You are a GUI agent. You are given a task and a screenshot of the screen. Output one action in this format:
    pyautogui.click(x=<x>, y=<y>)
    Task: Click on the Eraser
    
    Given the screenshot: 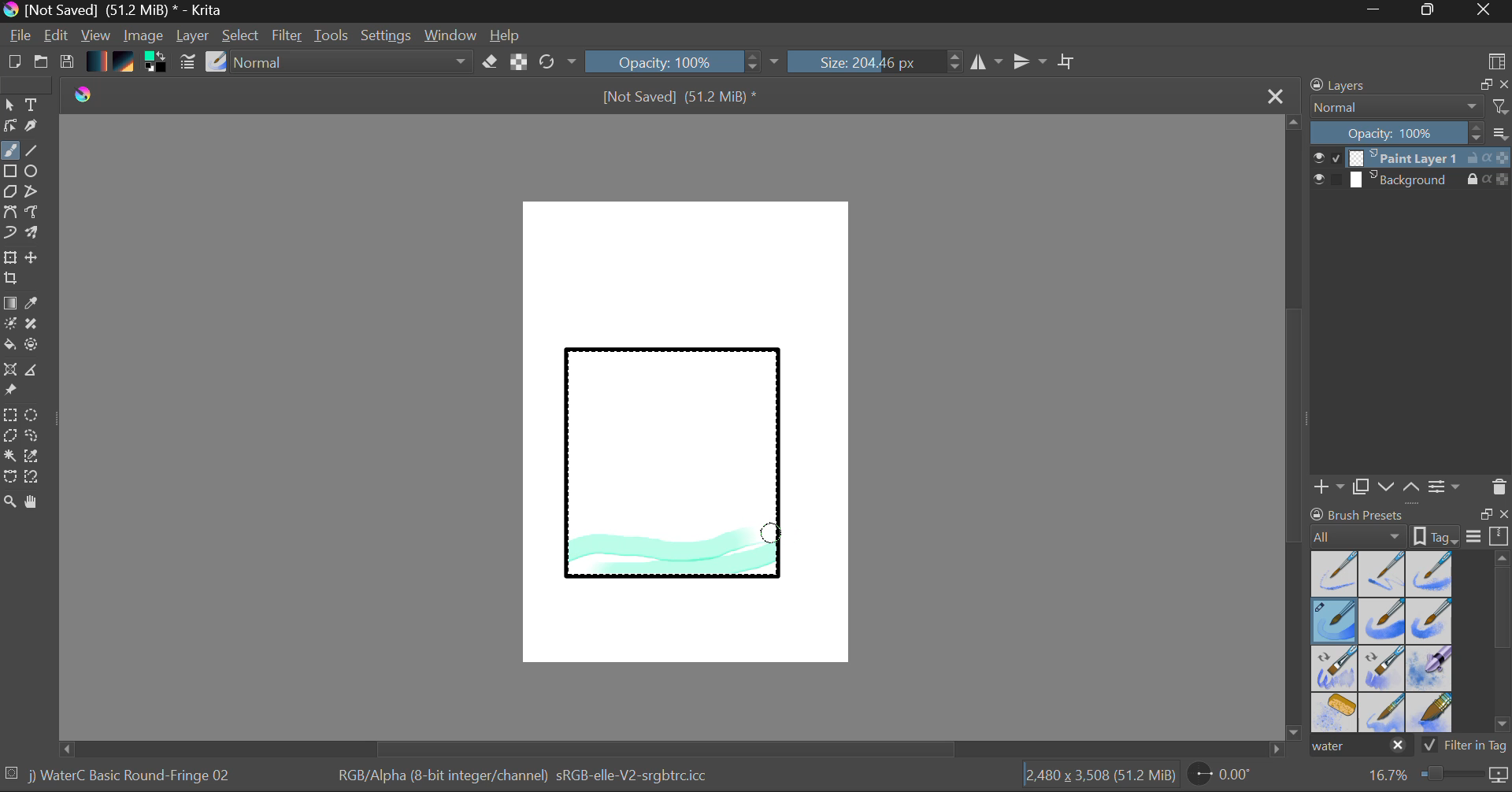 What is the action you would take?
    pyautogui.click(x=491, y=62)
    